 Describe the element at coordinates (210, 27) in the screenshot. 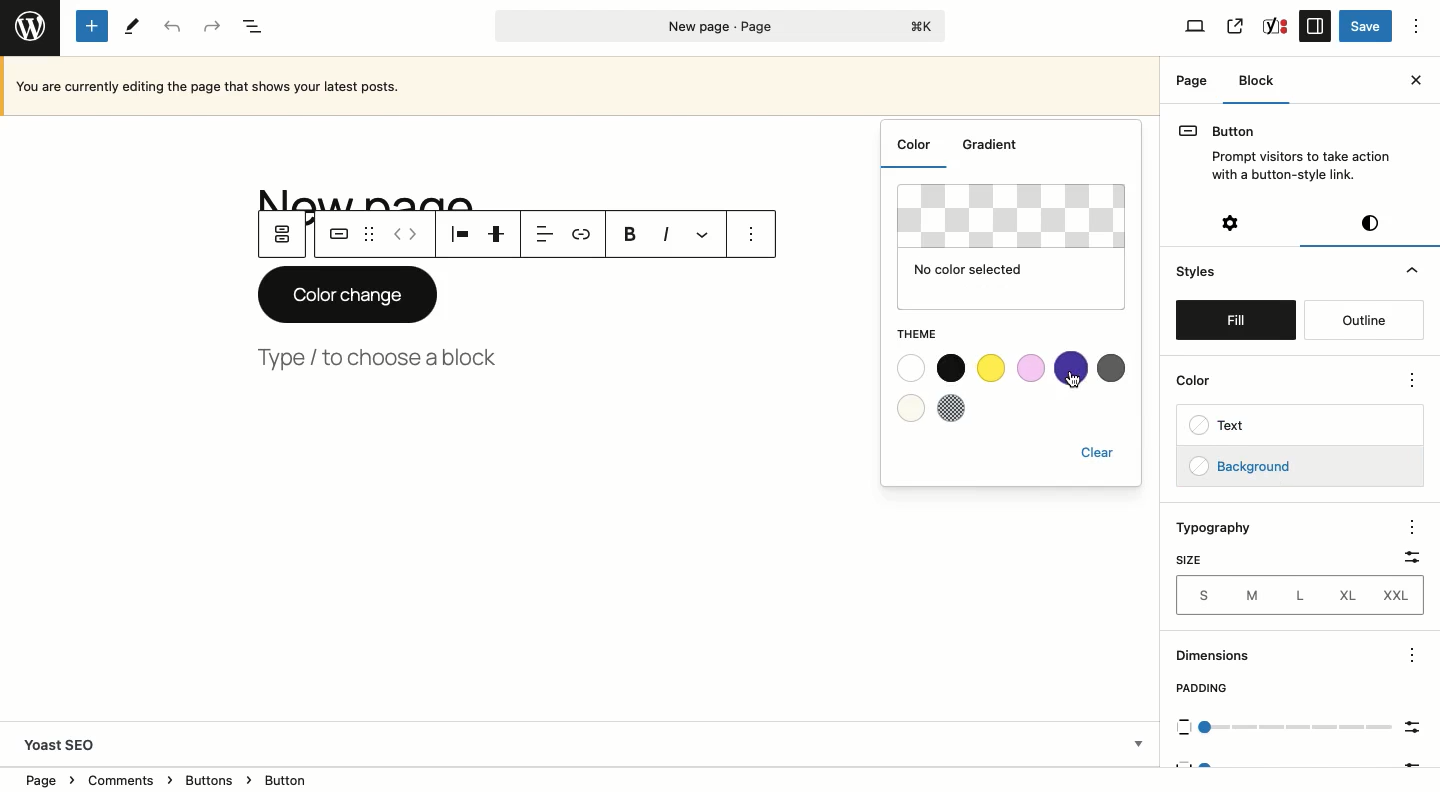

I see `Redo` at that location.